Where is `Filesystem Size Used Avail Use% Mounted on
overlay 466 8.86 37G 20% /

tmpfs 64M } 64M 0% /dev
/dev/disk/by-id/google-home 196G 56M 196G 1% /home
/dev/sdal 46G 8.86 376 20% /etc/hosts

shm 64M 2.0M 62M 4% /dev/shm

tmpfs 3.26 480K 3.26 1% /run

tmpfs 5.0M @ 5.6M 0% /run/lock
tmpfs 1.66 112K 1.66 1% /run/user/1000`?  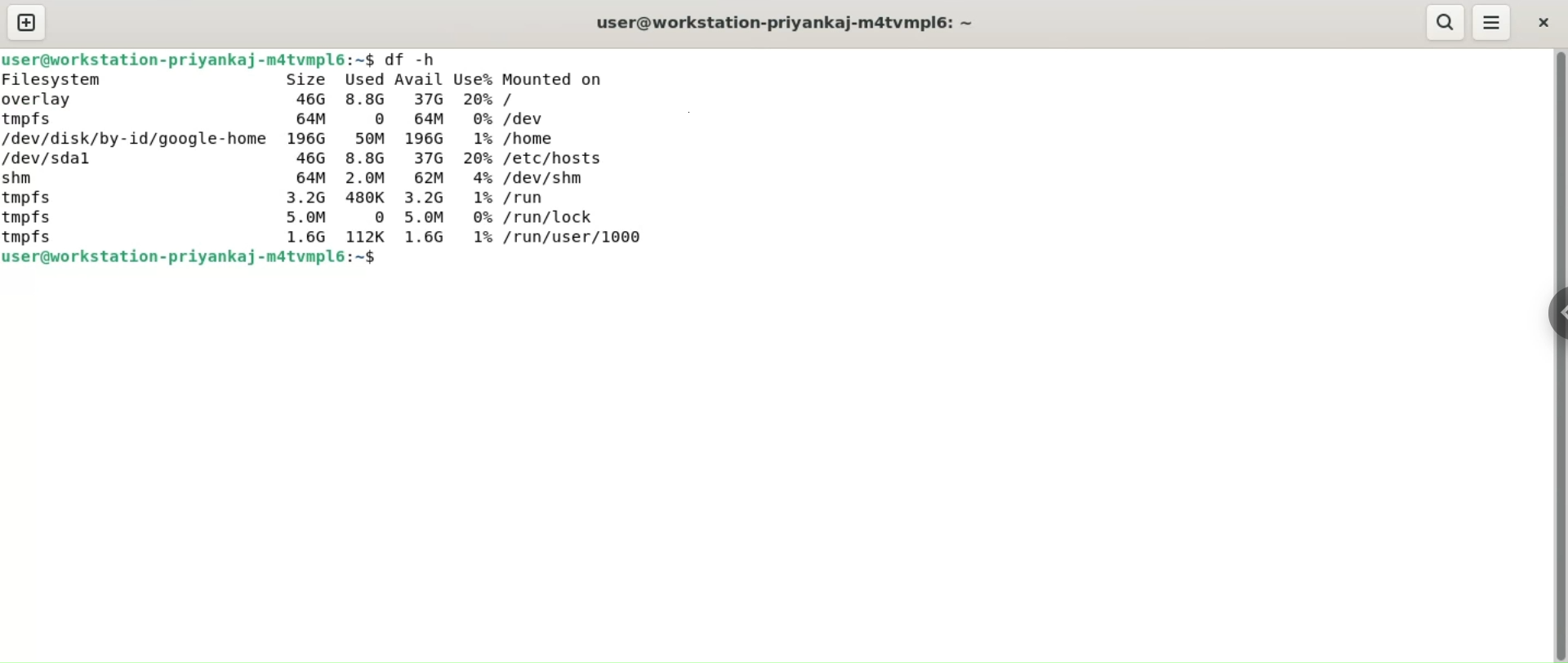
Filesystem Size Used Avail Use% Mounted on
overlay 466 8.86 37G 20% /

tmpfs 64M } 64M 0% /dev
/dev/disk/by-id/google-home 196G 56M 196G 1% /home
/dev/sdal 46G 8.86 376 20% /etc/hosts

shm 64M 2.0M 62M 4% /dev/shm

tmpfs 3.26 480K 3.26 1% /run

tmpfs 5.0M @ 5.6M 0% /run/lock
tmpfs 1.66 112K 1.66 1% /run/user/1000 is located at coordinates (323, 158).